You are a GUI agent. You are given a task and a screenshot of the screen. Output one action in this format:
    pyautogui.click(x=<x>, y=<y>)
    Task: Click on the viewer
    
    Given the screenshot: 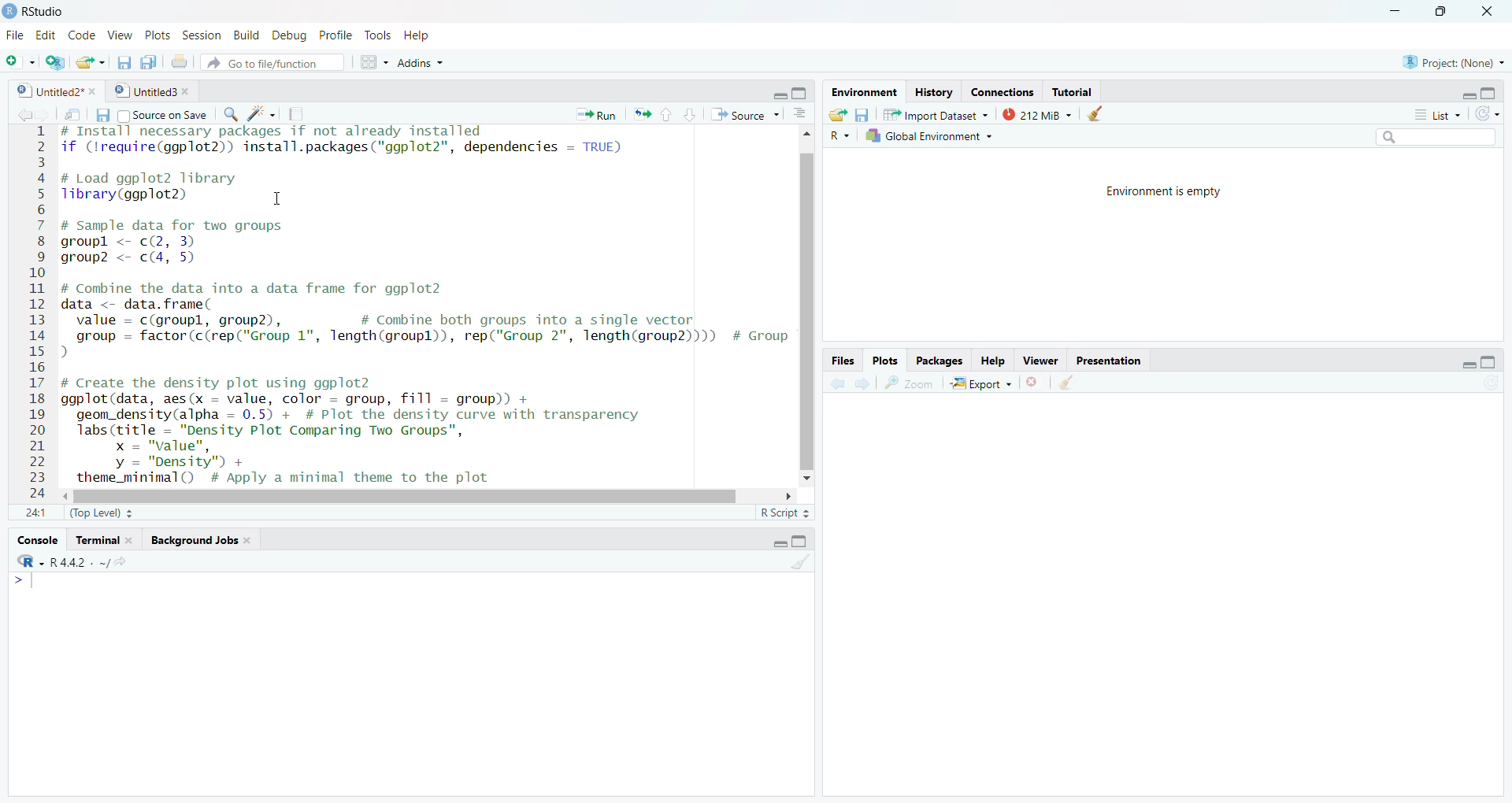 What is the action you would take?
    pyautogui.click(x=1039, y=359)
    